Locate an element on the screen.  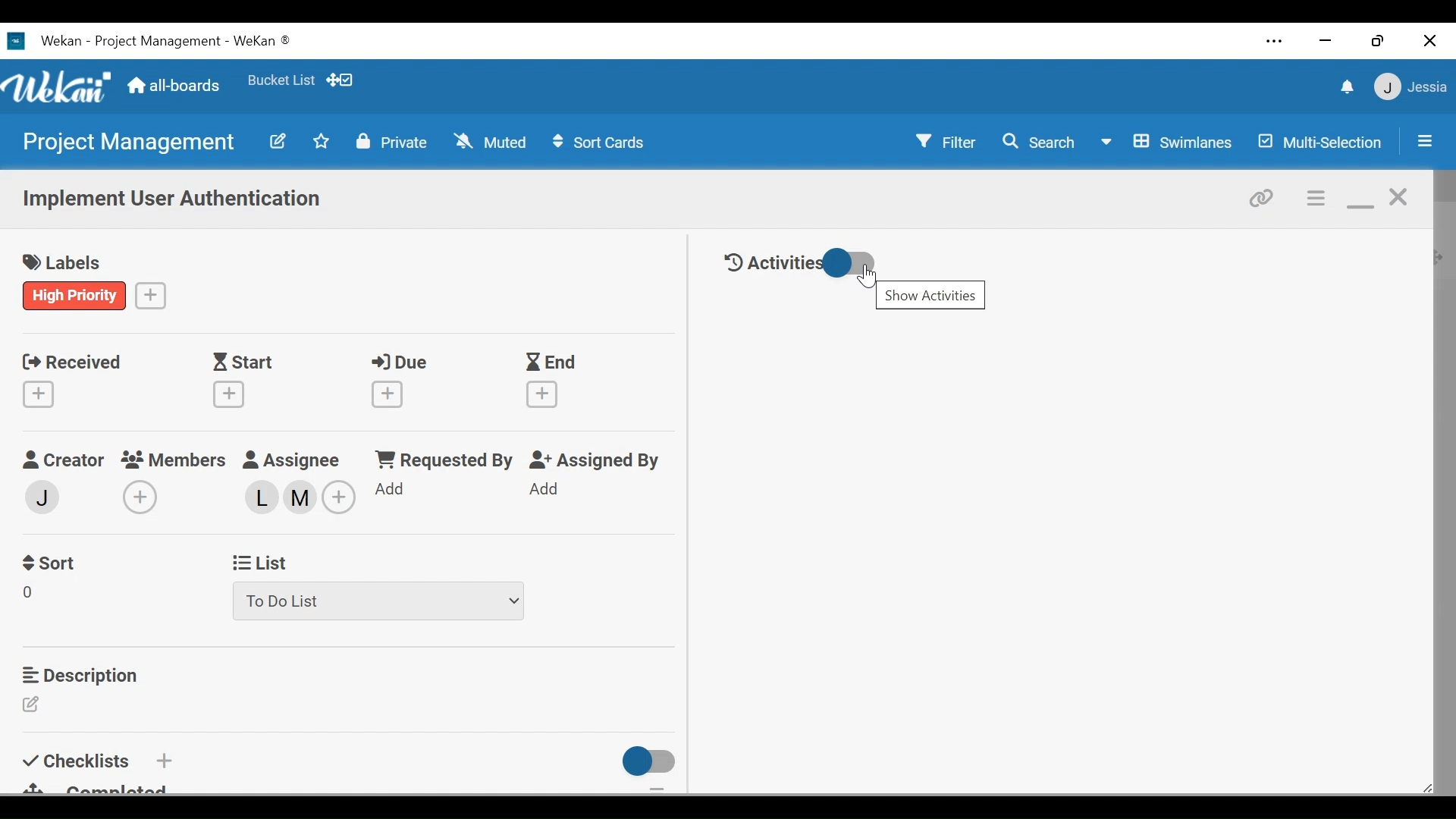
Card Name is located at coordinates (172, 199).